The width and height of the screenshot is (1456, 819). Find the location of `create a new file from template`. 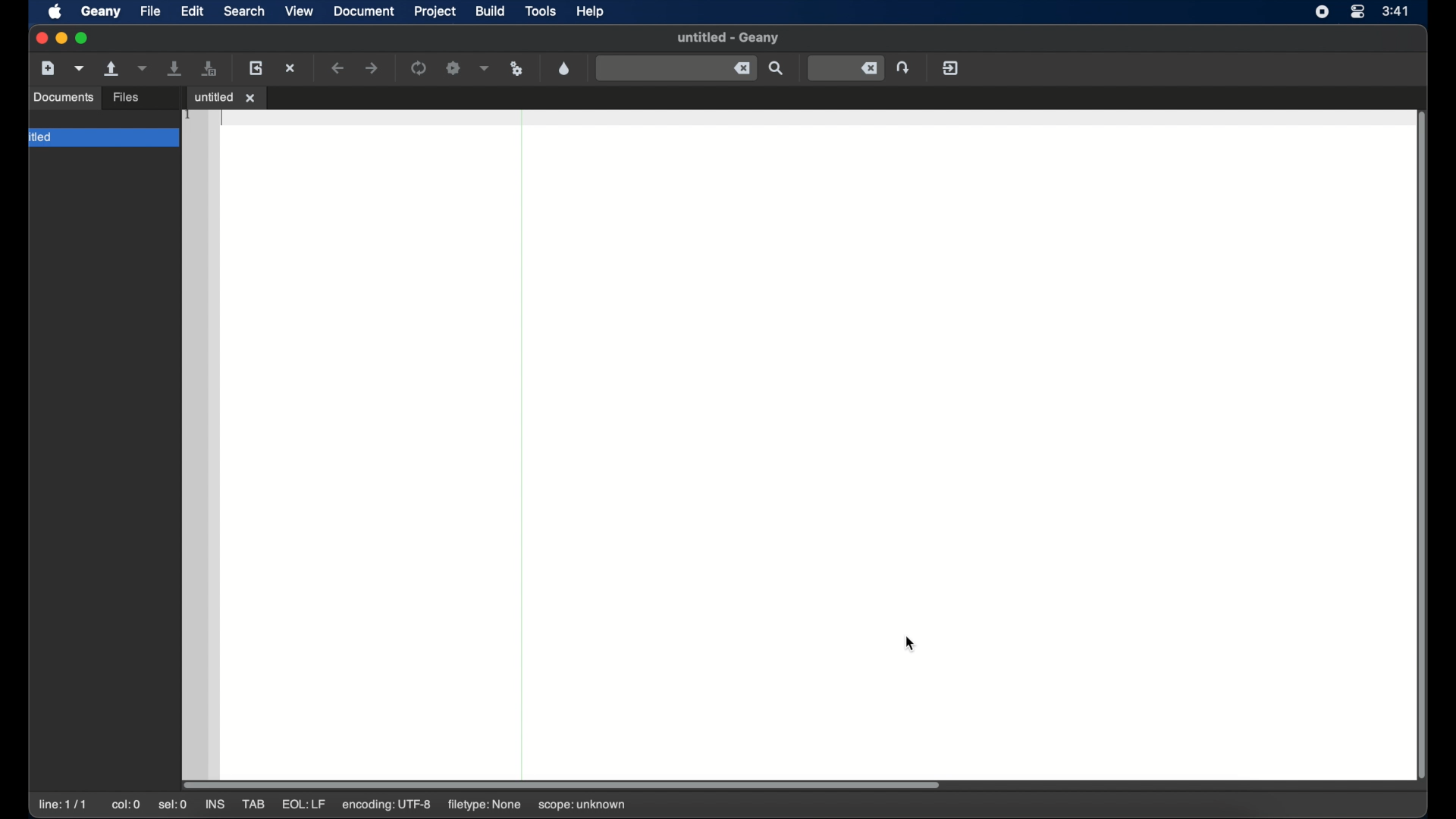

create a new file from template is located at coordinates (80, 69).